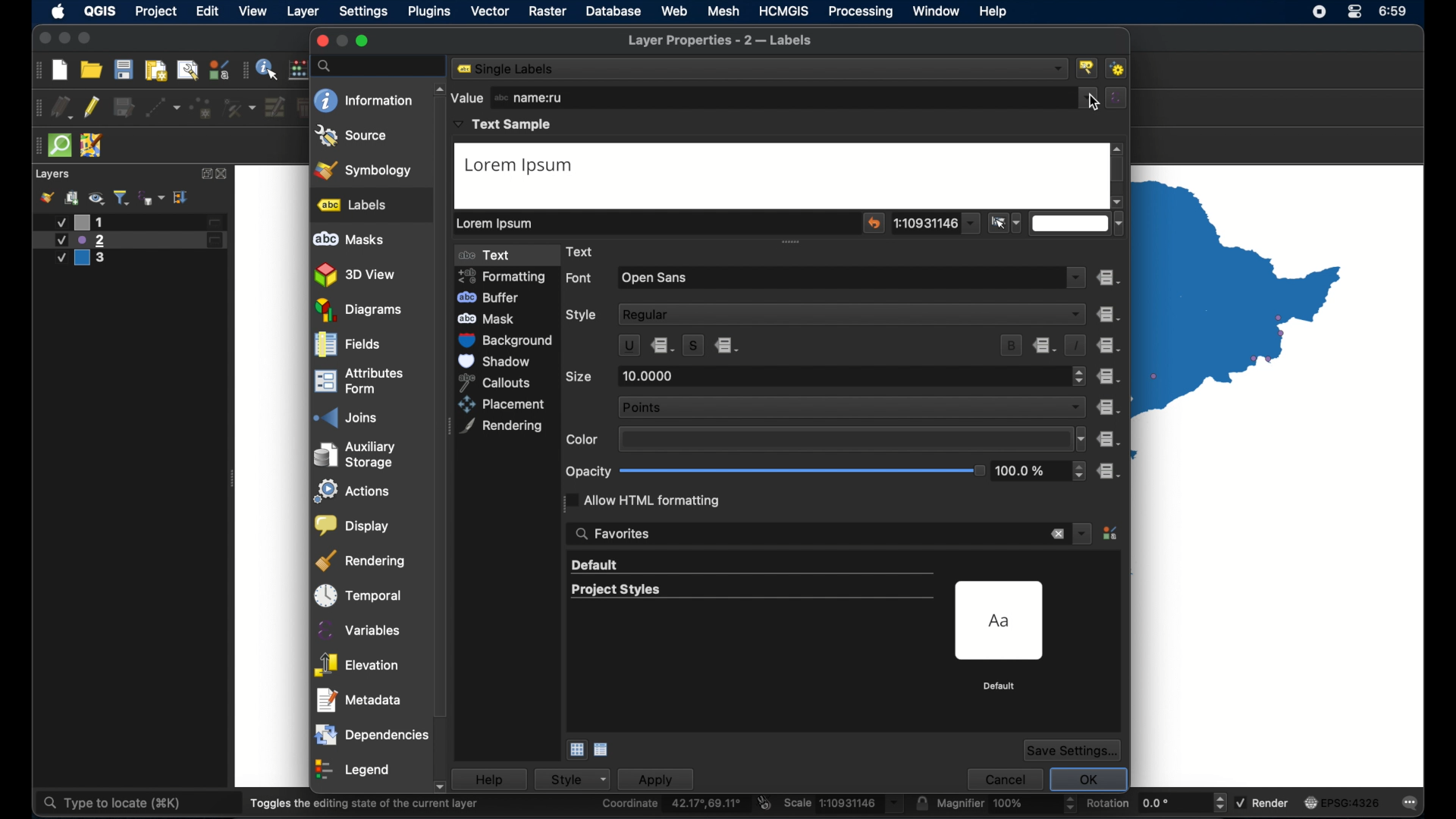 The width and height of the screenshot is (1456, 819). I want to click on variables, so click(357, 626).